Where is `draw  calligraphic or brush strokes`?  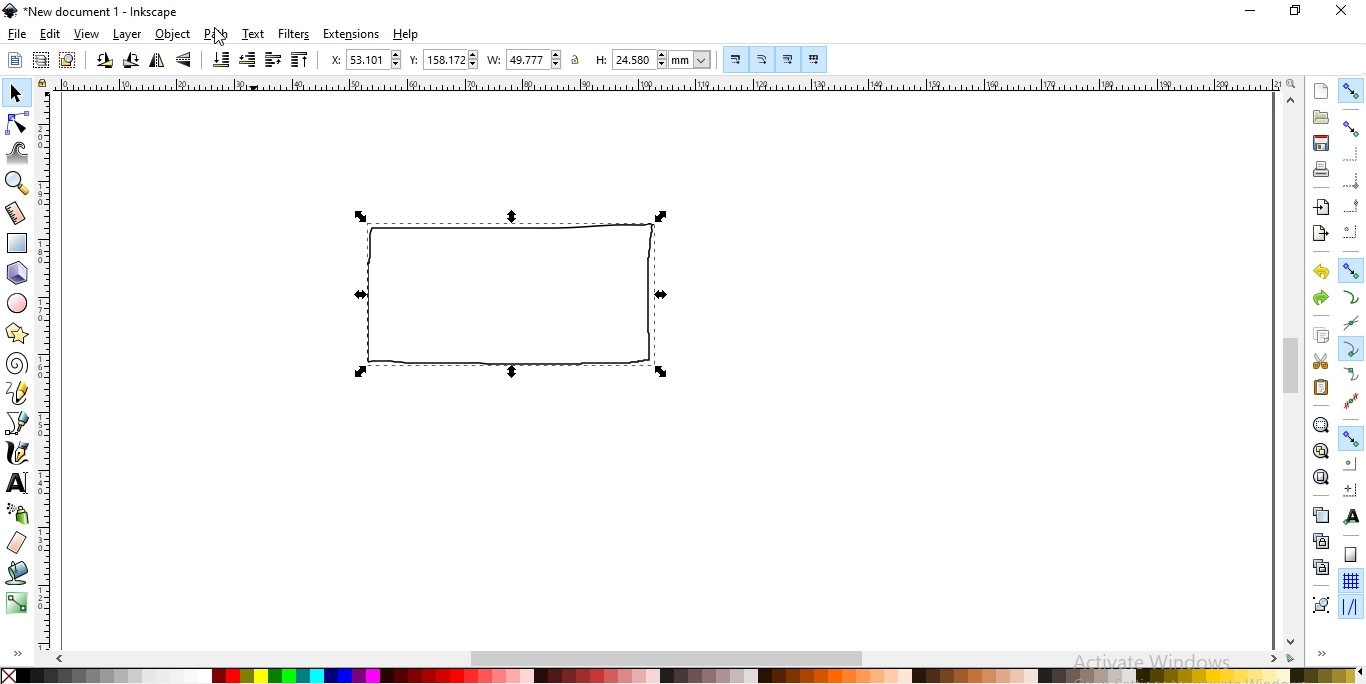
draw  calligraphic or brush strokes is located at coordinates (17, 453).